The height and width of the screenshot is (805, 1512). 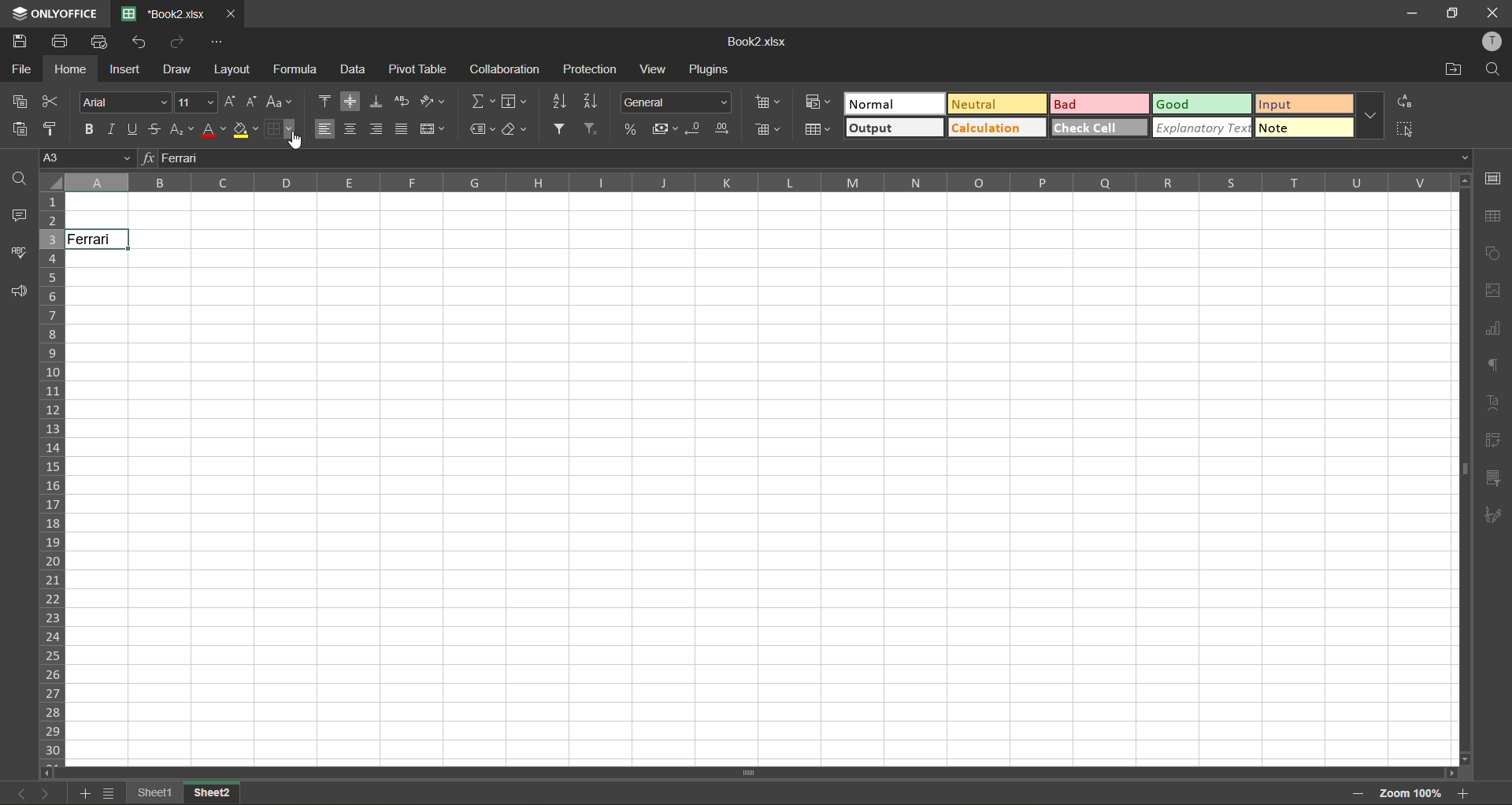 I want to click on named ranges, so click(x=484, y=129).